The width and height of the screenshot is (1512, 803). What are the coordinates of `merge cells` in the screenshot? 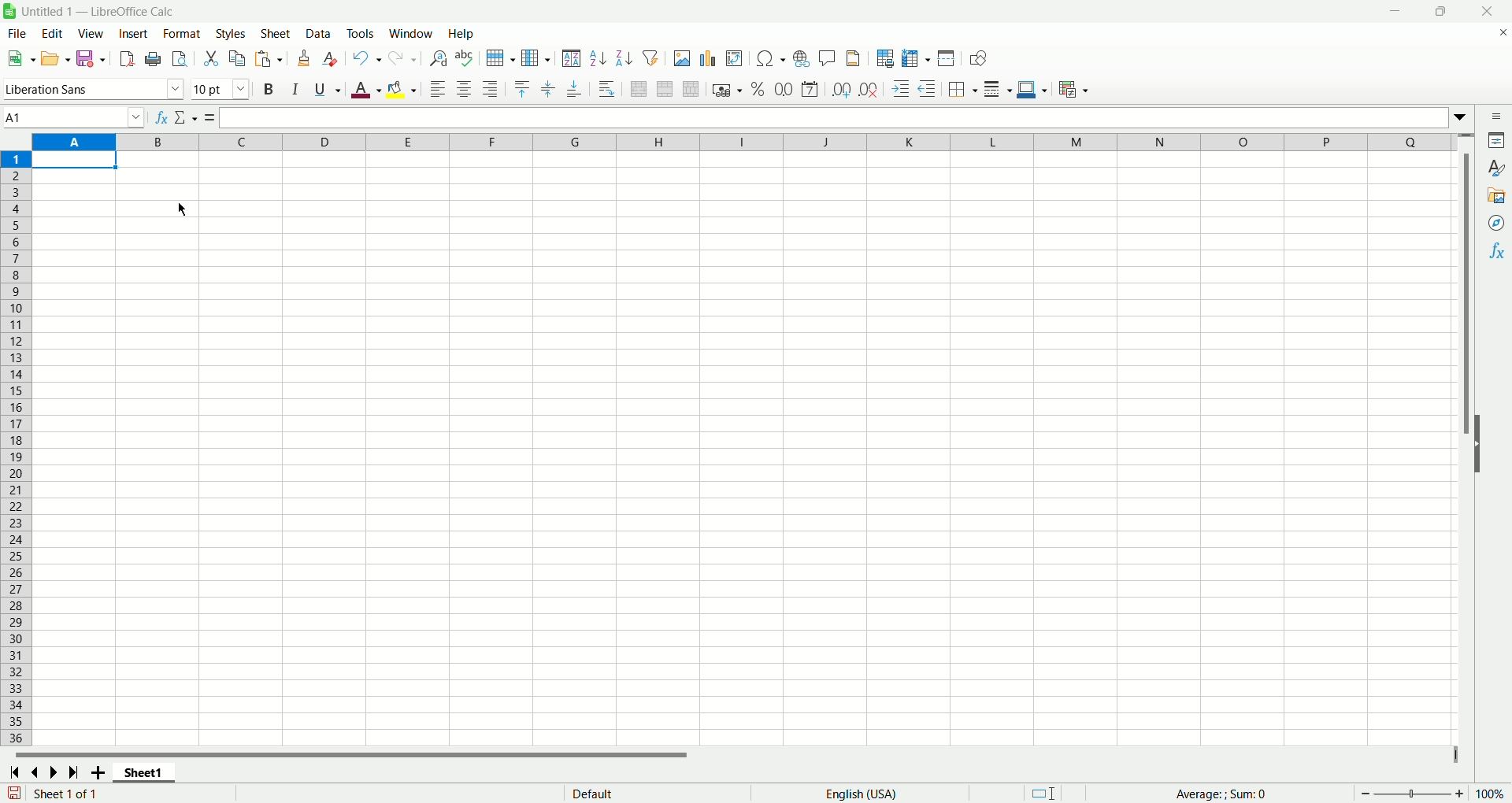 It's located at (667, 89).